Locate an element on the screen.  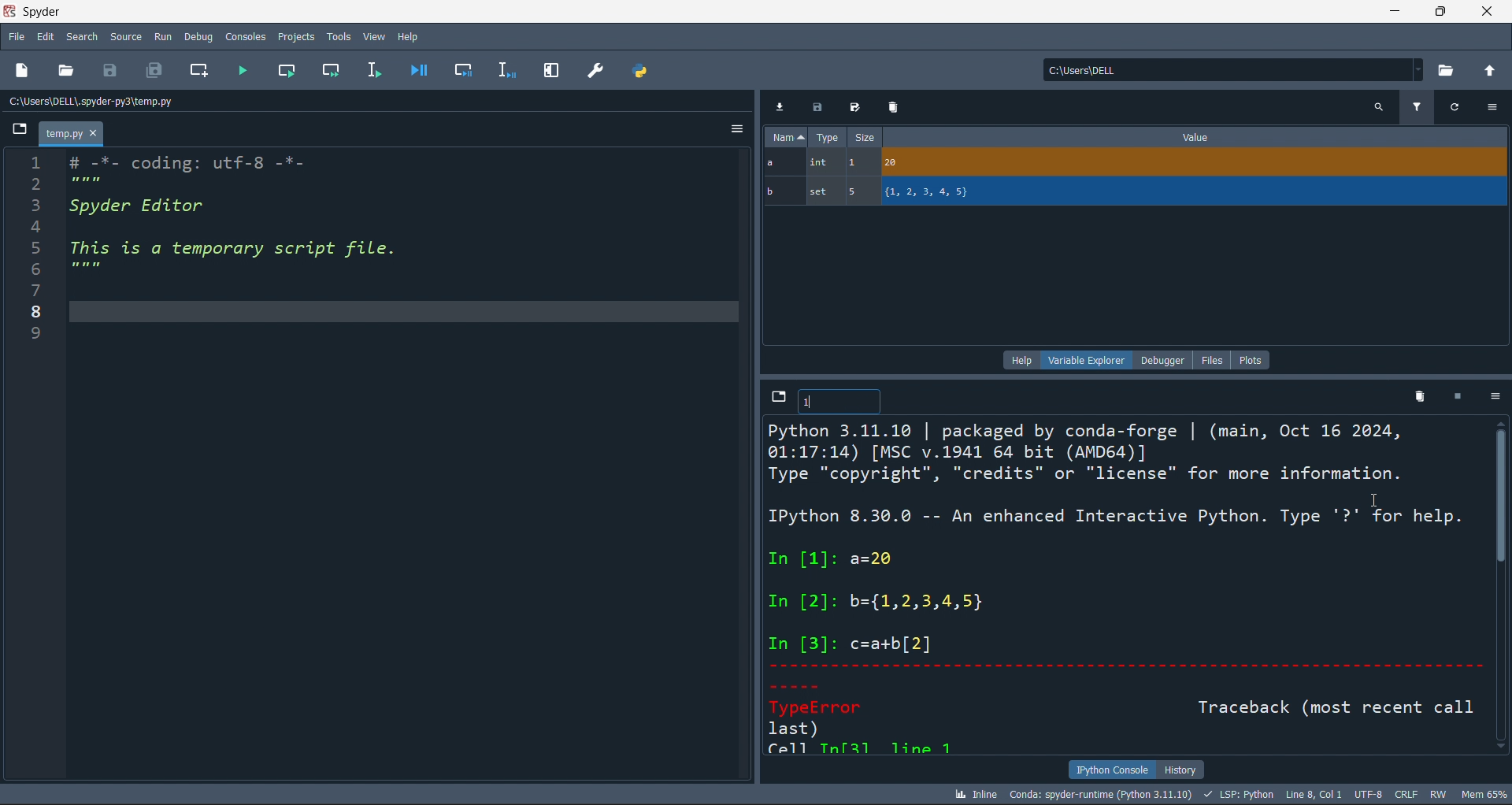
UTF-8 is located at coordinates (1370, 796).